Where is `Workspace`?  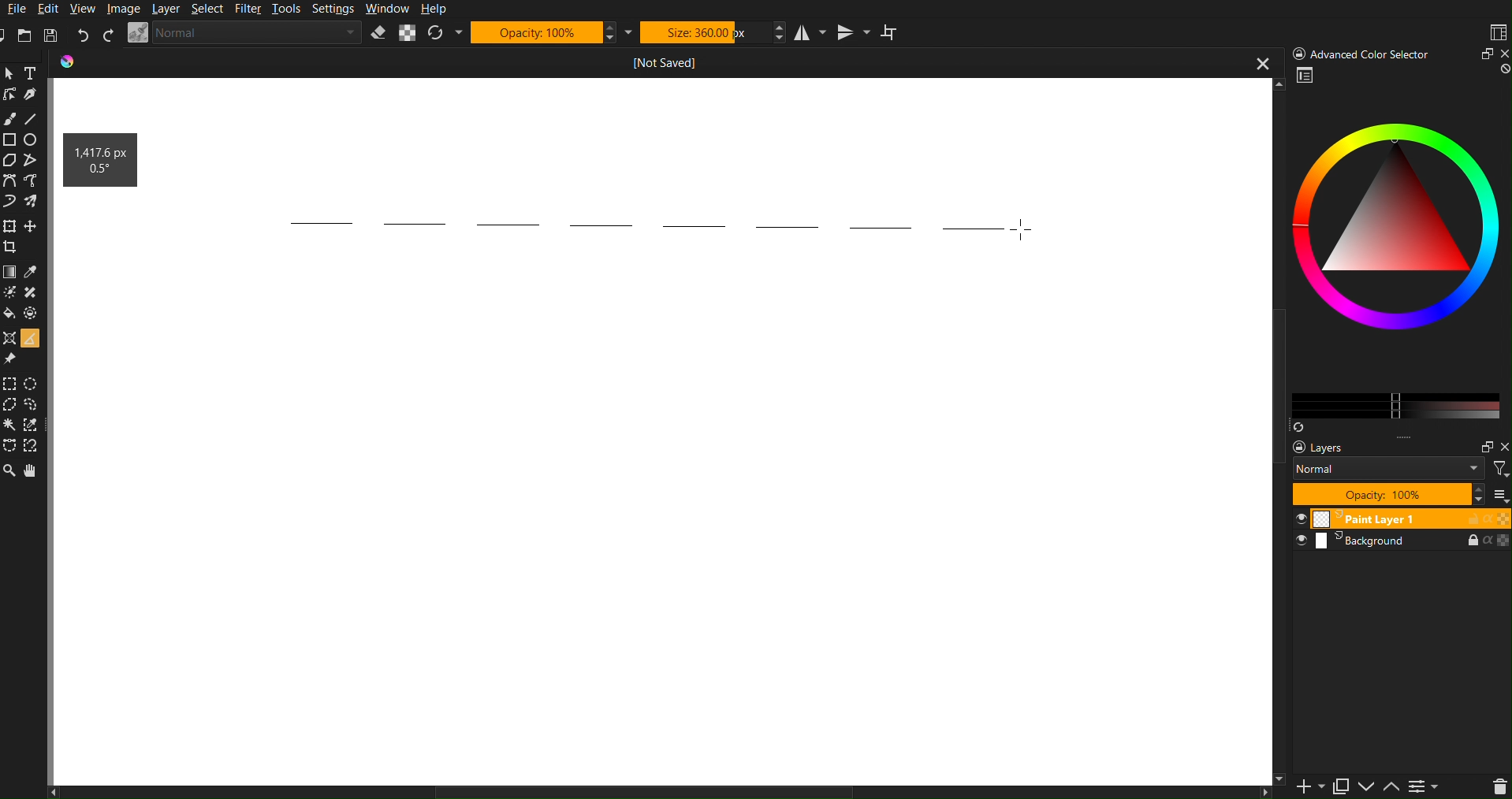 Workspace is located at coordinates (665, 523).